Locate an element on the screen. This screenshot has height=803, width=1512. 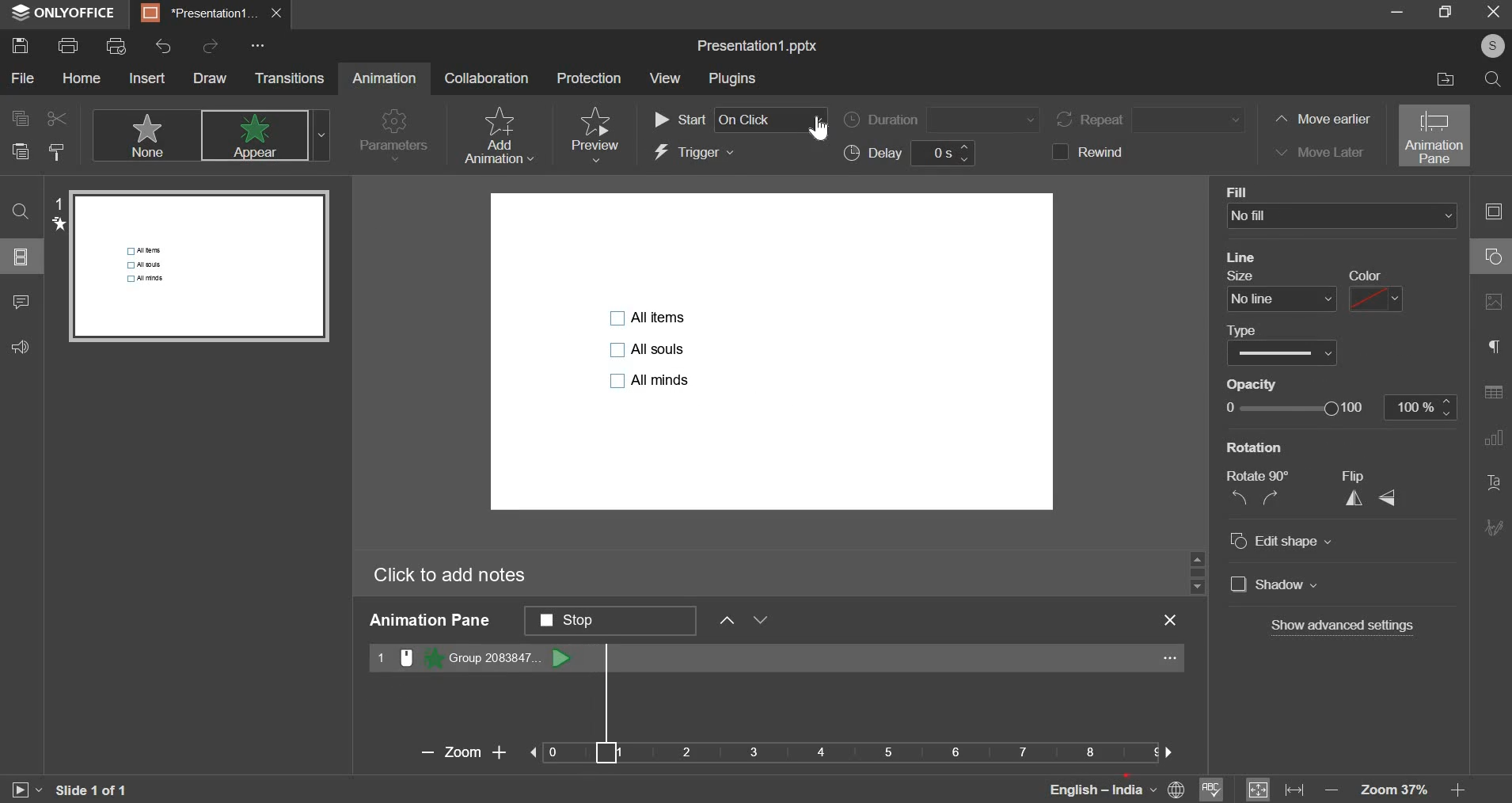
parameters is located at coordinates (394, 137).